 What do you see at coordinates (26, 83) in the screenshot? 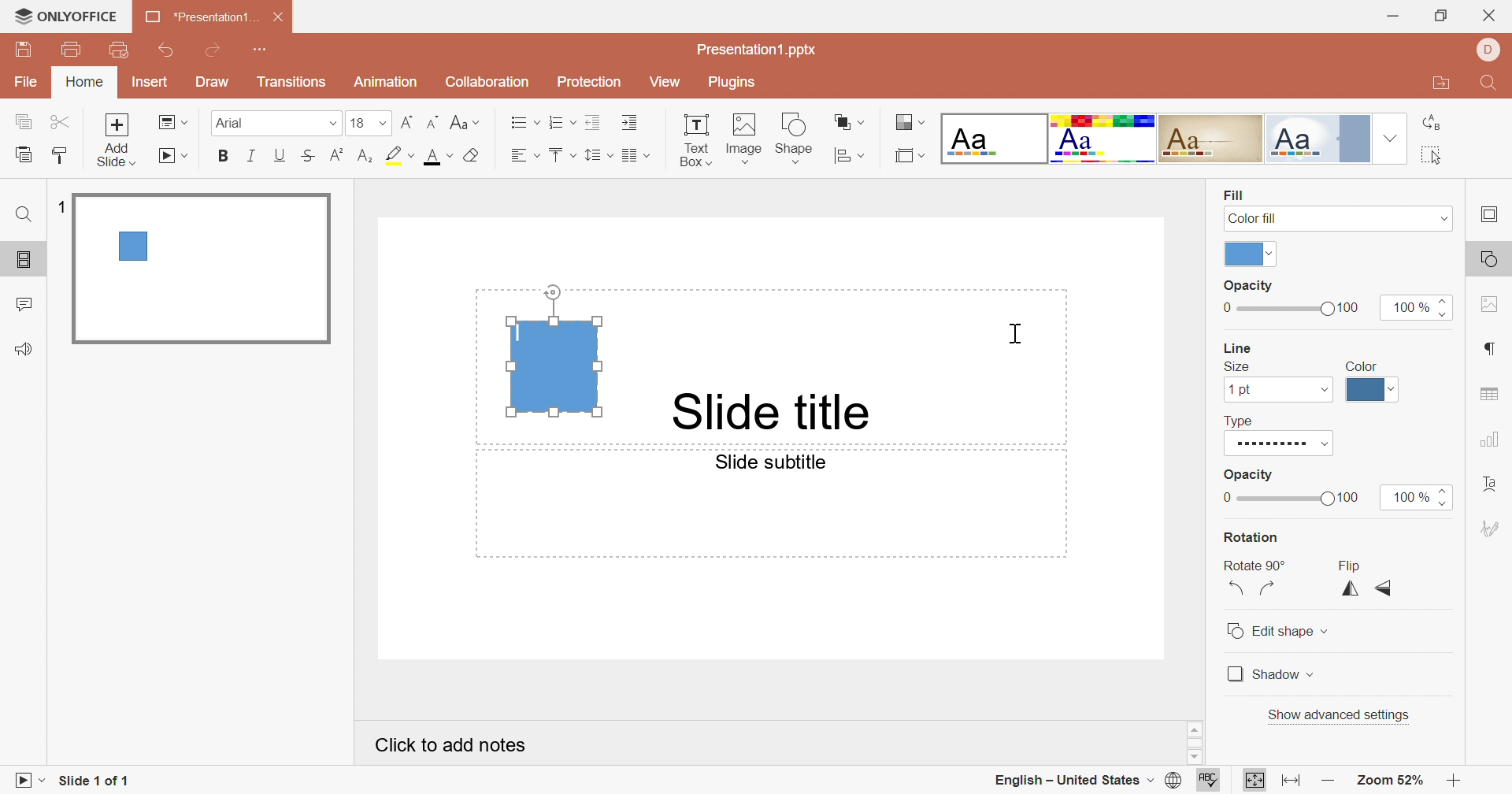
I see `File` at bounding box center [26, 83].